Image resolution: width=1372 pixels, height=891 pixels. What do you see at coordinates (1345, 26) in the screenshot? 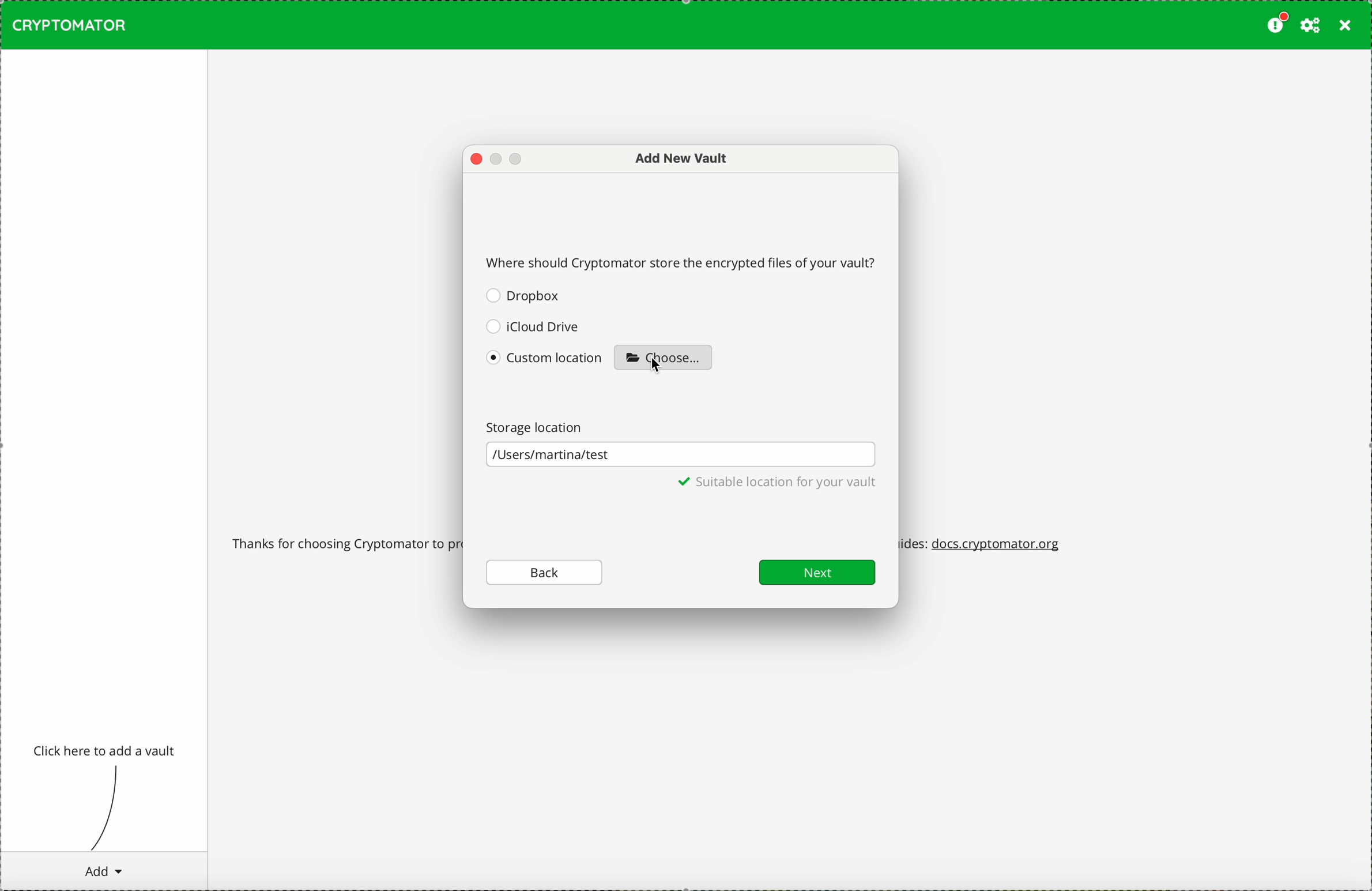
I see `close` at bounding box center [1345, 26].